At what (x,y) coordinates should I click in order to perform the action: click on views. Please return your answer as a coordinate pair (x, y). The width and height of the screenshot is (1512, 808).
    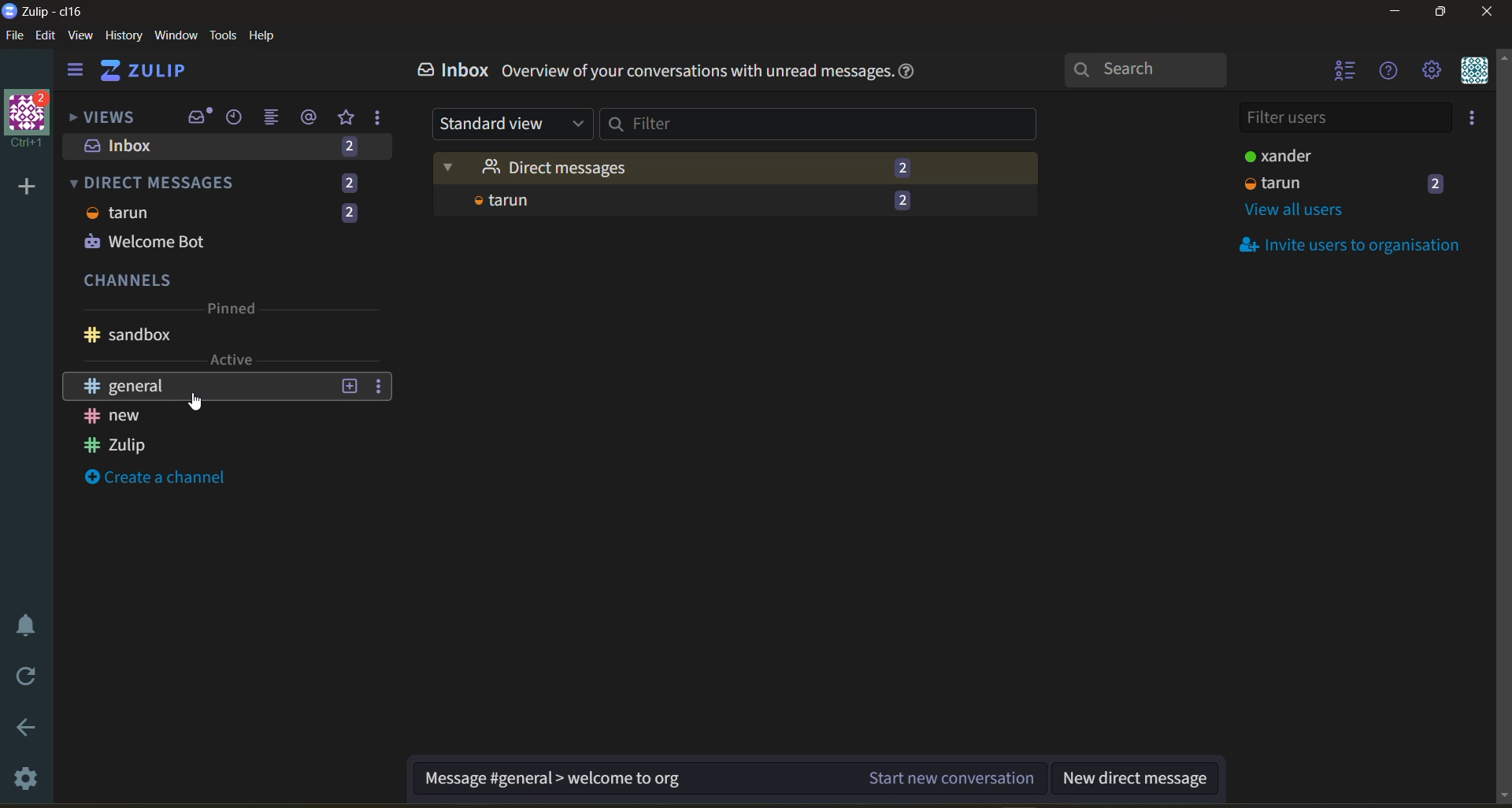
    Looking at the image, I should click on (103, 119).